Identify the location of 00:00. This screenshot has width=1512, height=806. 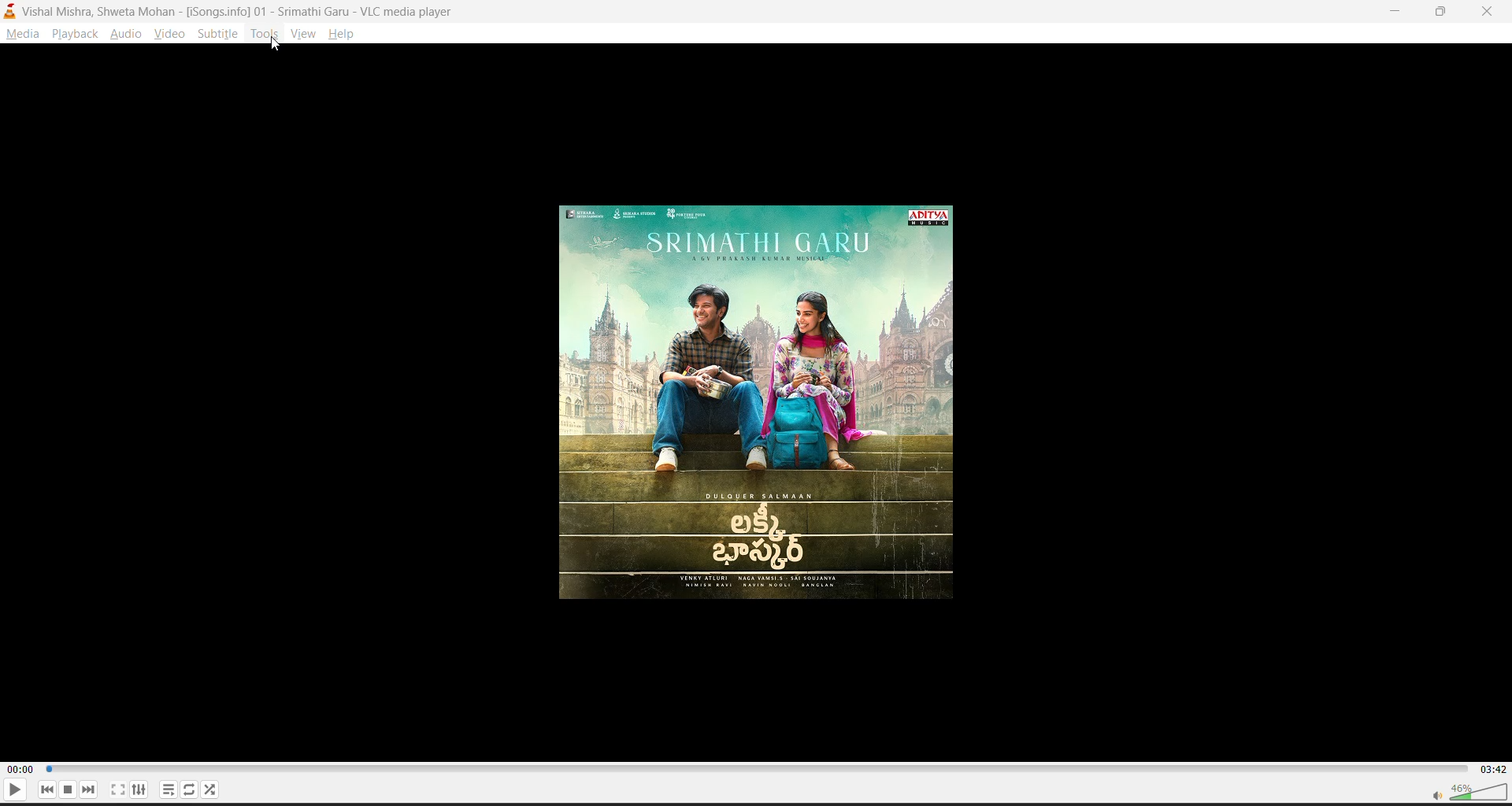
(19, 769).